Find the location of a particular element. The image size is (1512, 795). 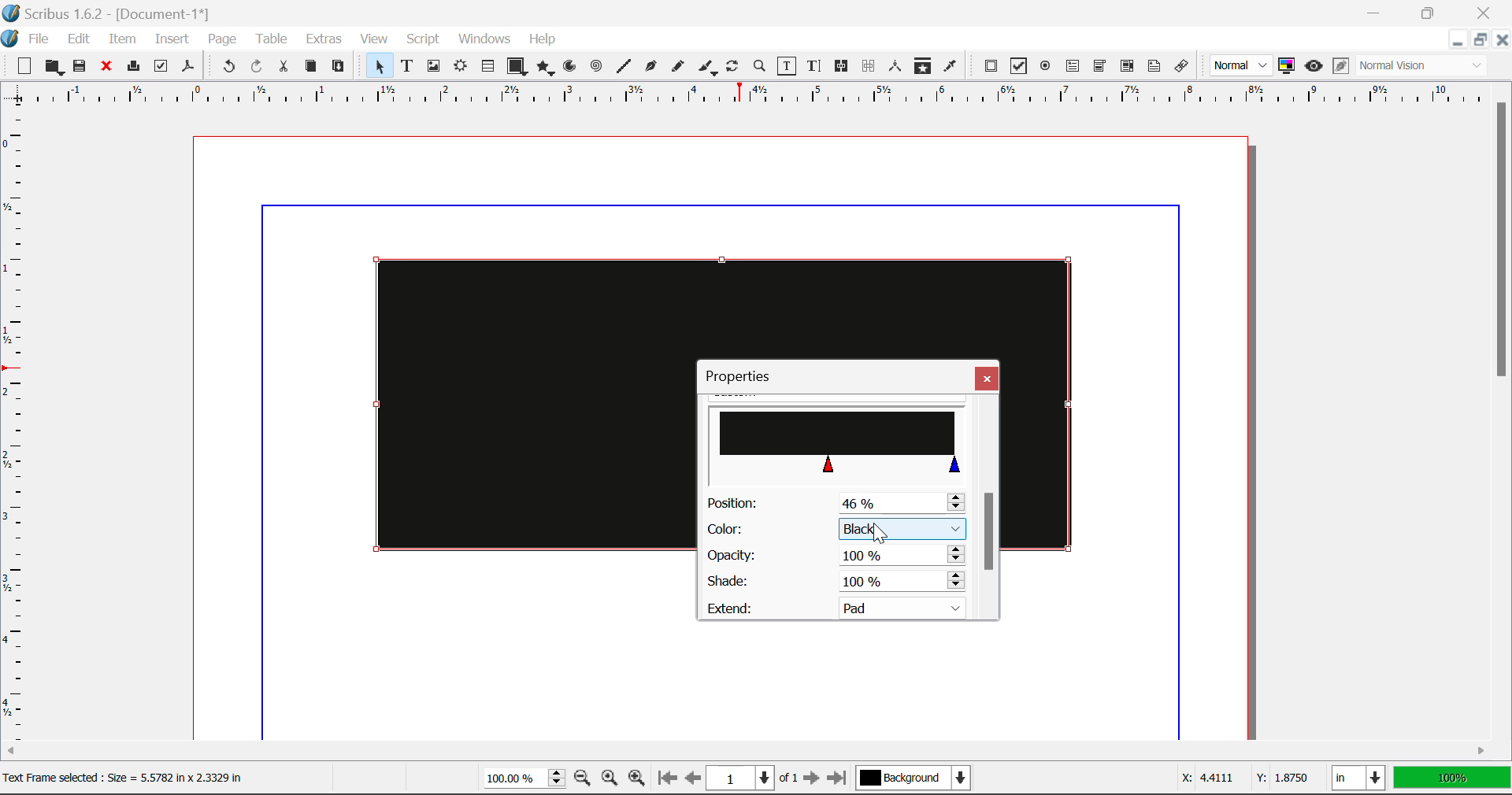

Link Frames is located at coordinates (844, 66).